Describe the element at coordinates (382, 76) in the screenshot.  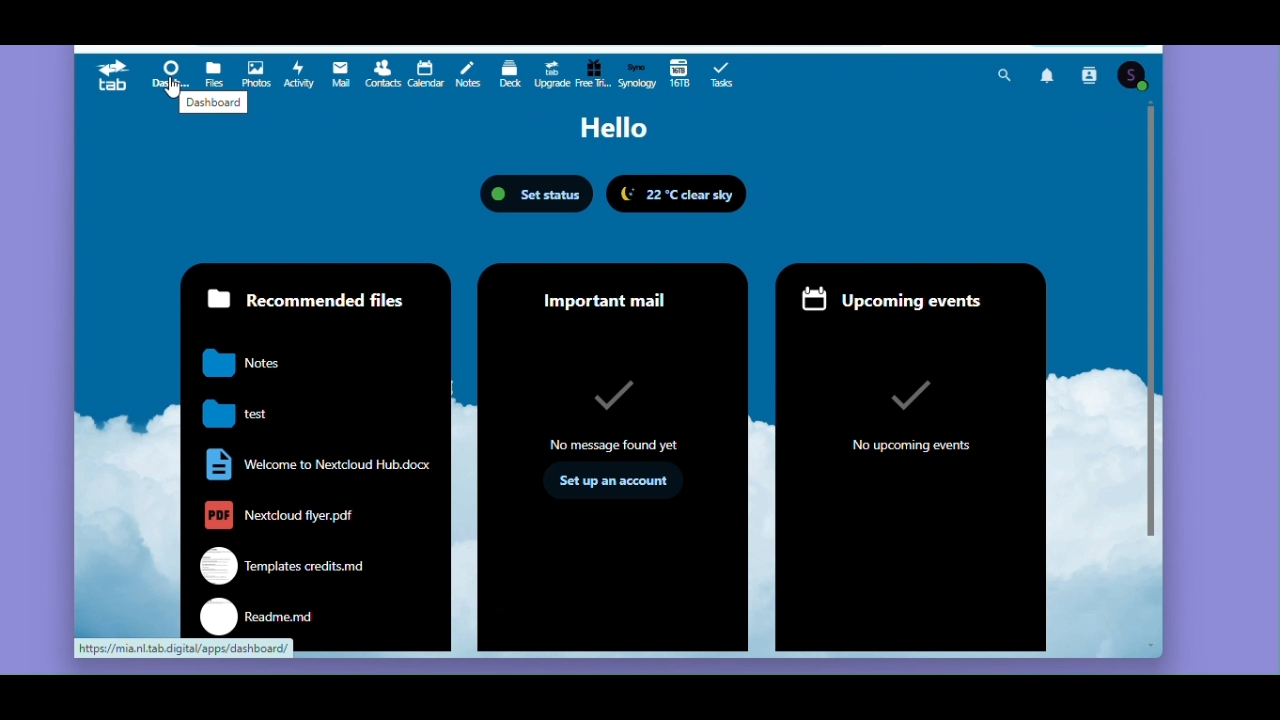
I see `Contacts` at that location.